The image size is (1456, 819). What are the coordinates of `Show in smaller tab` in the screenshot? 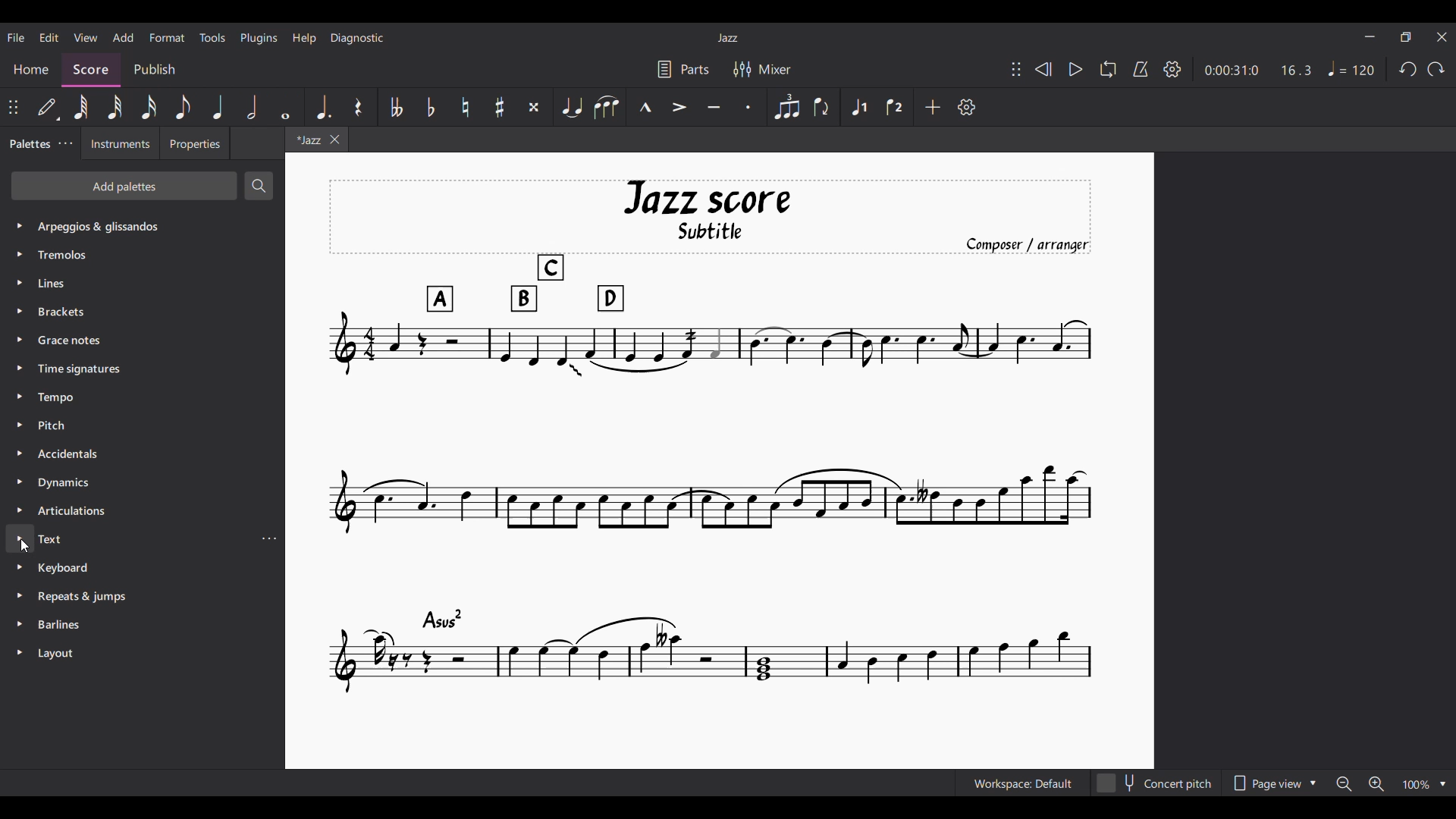 It's located at (1405, 37).